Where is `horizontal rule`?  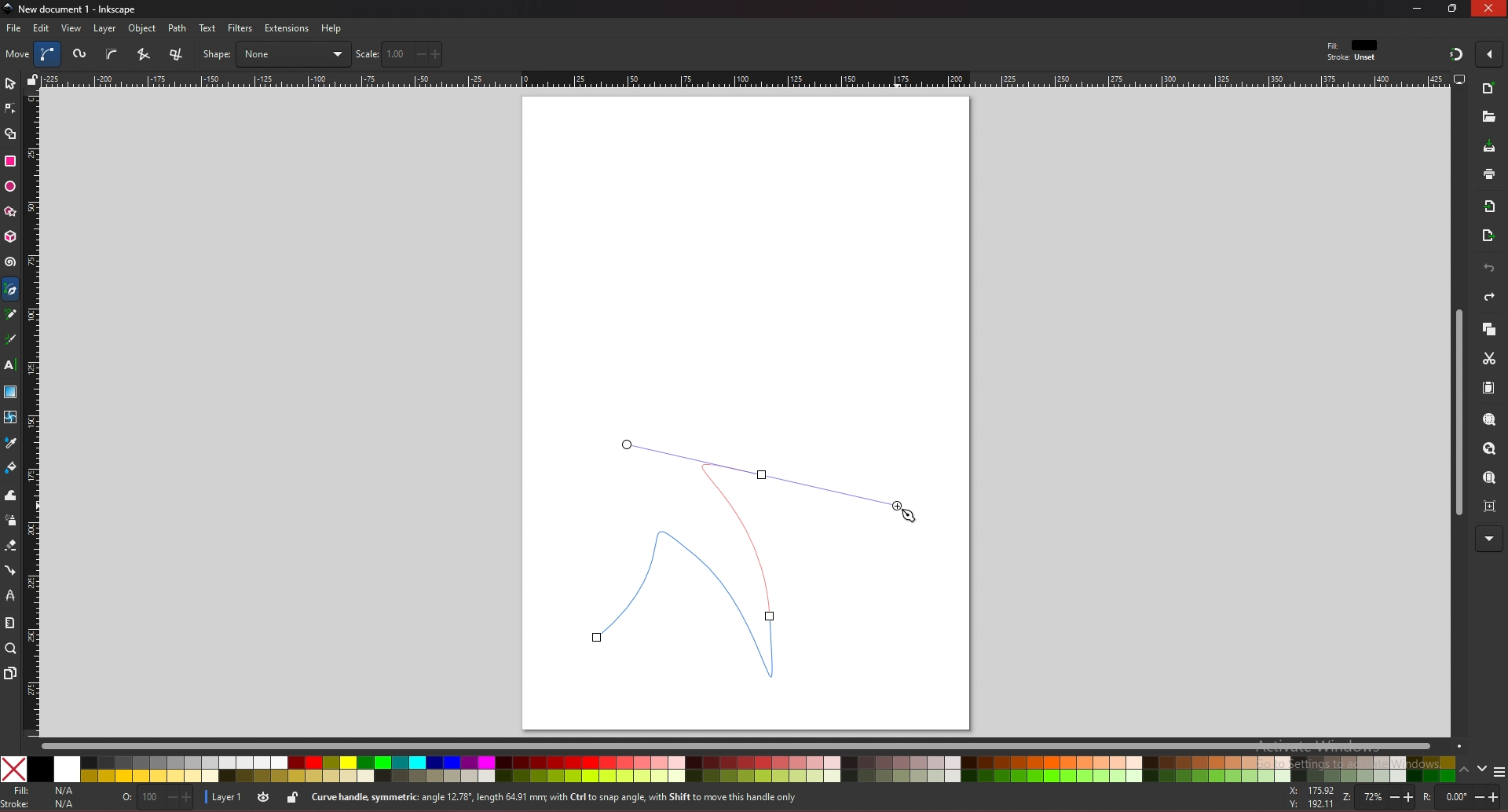
horizontal rule is located at coordinates (745, 79).